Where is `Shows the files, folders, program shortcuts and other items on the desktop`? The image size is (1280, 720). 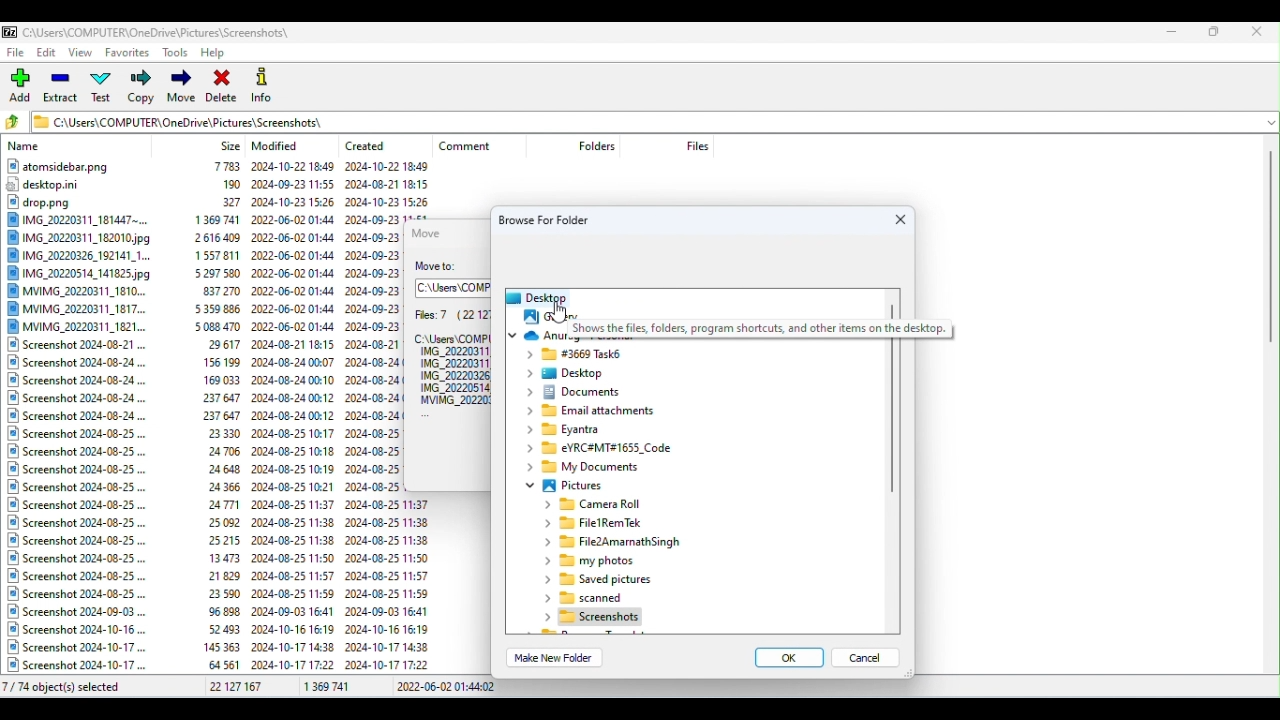
Shows the files, folders, program shortcuts and other items on the desktop is located at coordinates (760, 330).